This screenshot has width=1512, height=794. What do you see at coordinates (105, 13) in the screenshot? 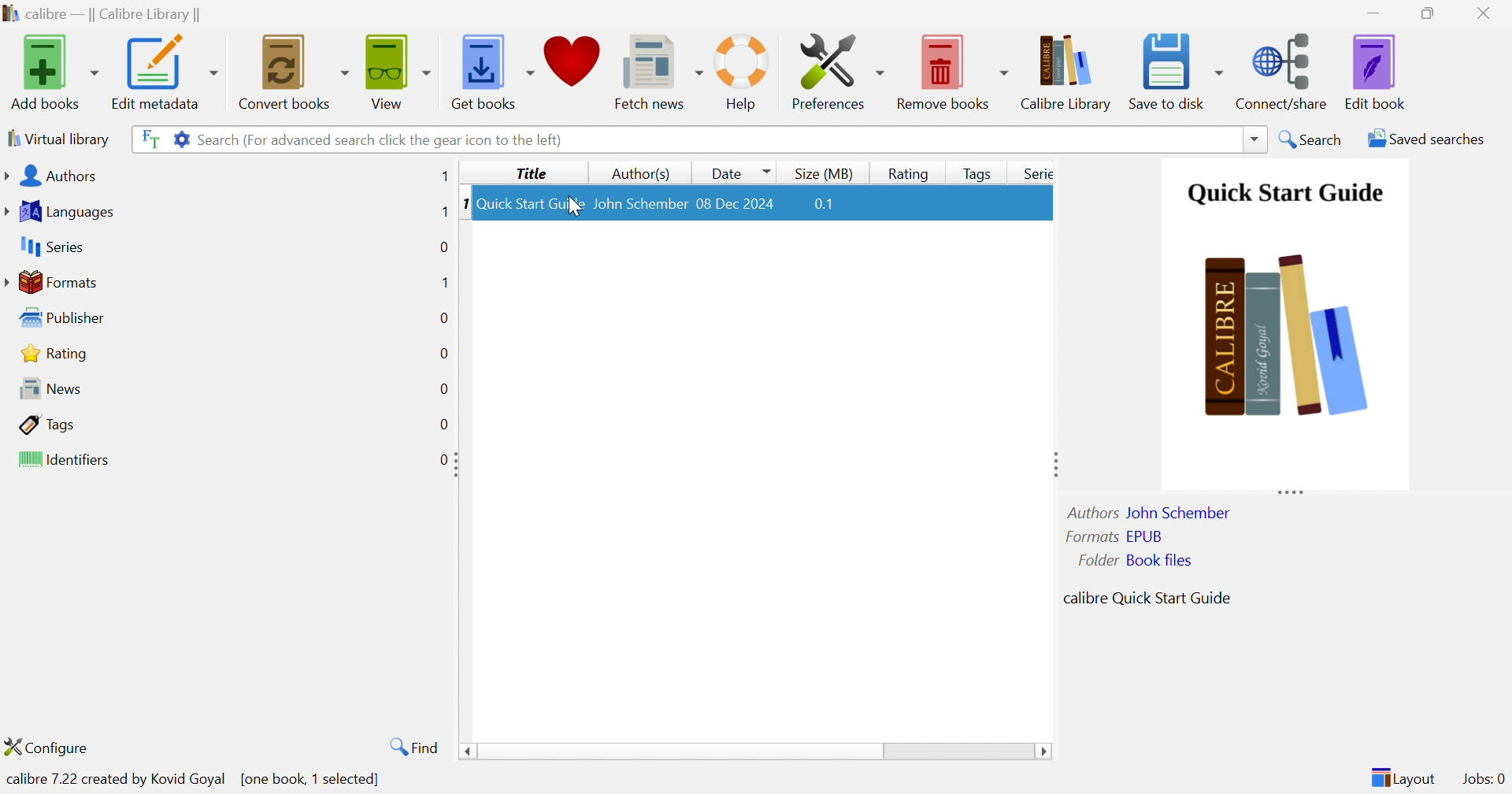
I see `calibre - || Calibre Library||` at bounding box center [105, 13].